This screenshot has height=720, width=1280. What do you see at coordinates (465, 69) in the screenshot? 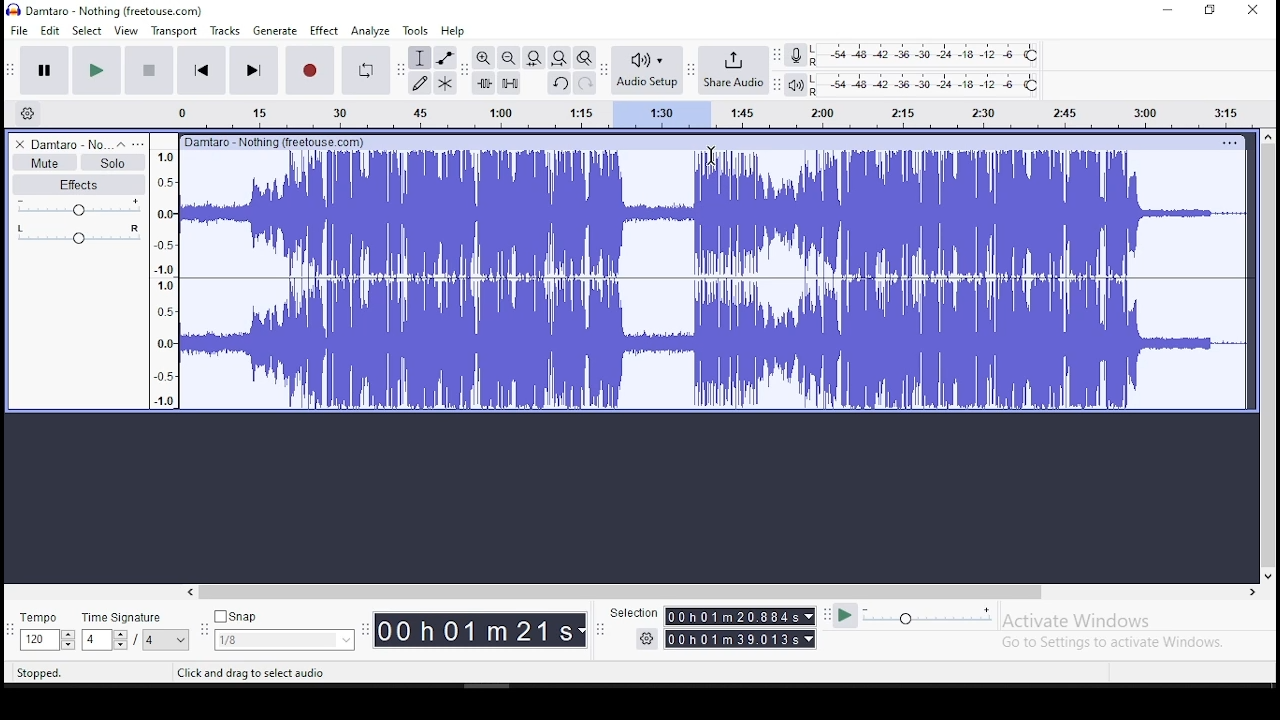
I see `` at bounding box center [465, 69].